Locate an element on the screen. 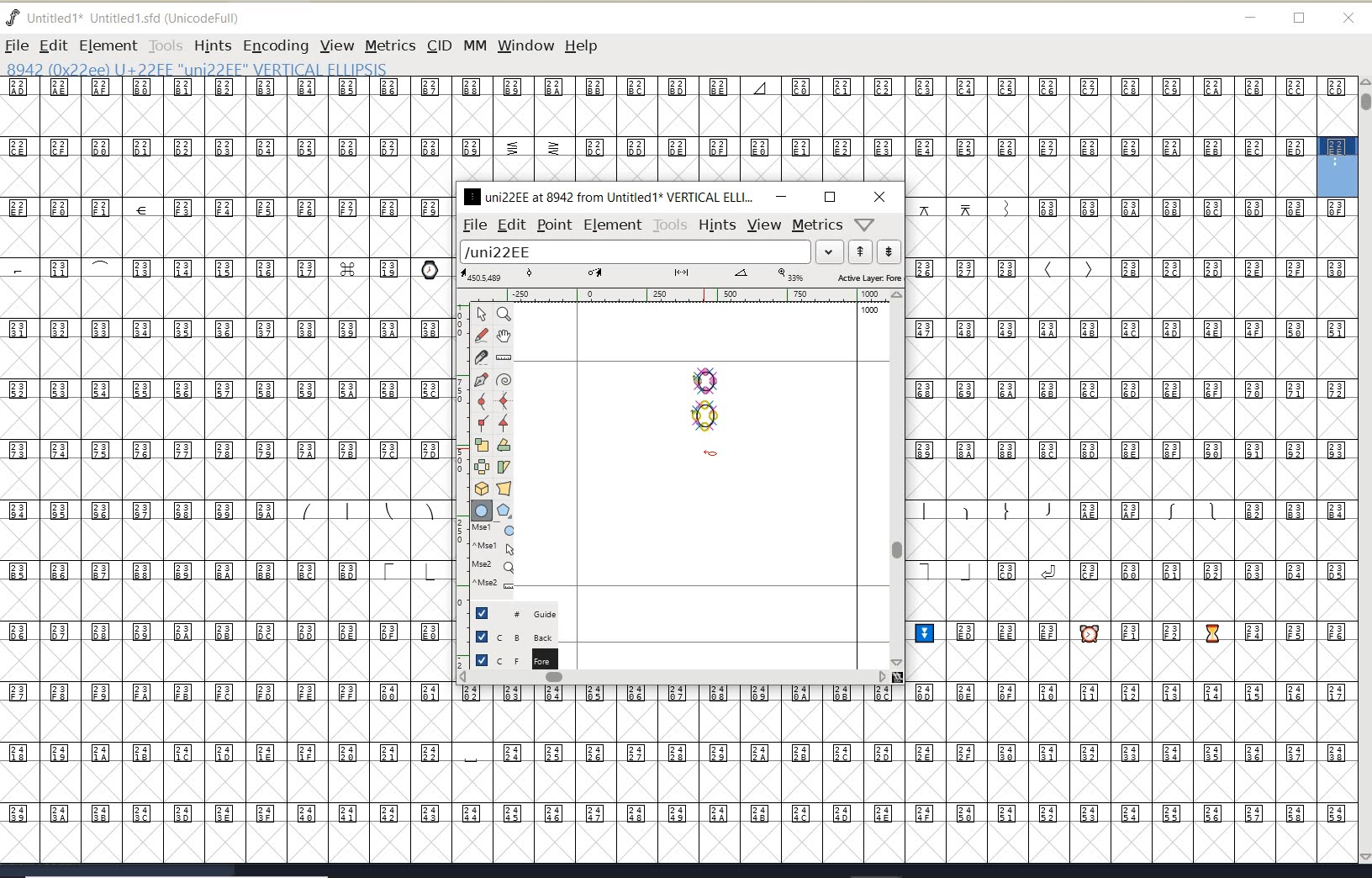 This screenshot has height=878, width=1372. rectangle or ellipse is located at coordinates (483, 511).